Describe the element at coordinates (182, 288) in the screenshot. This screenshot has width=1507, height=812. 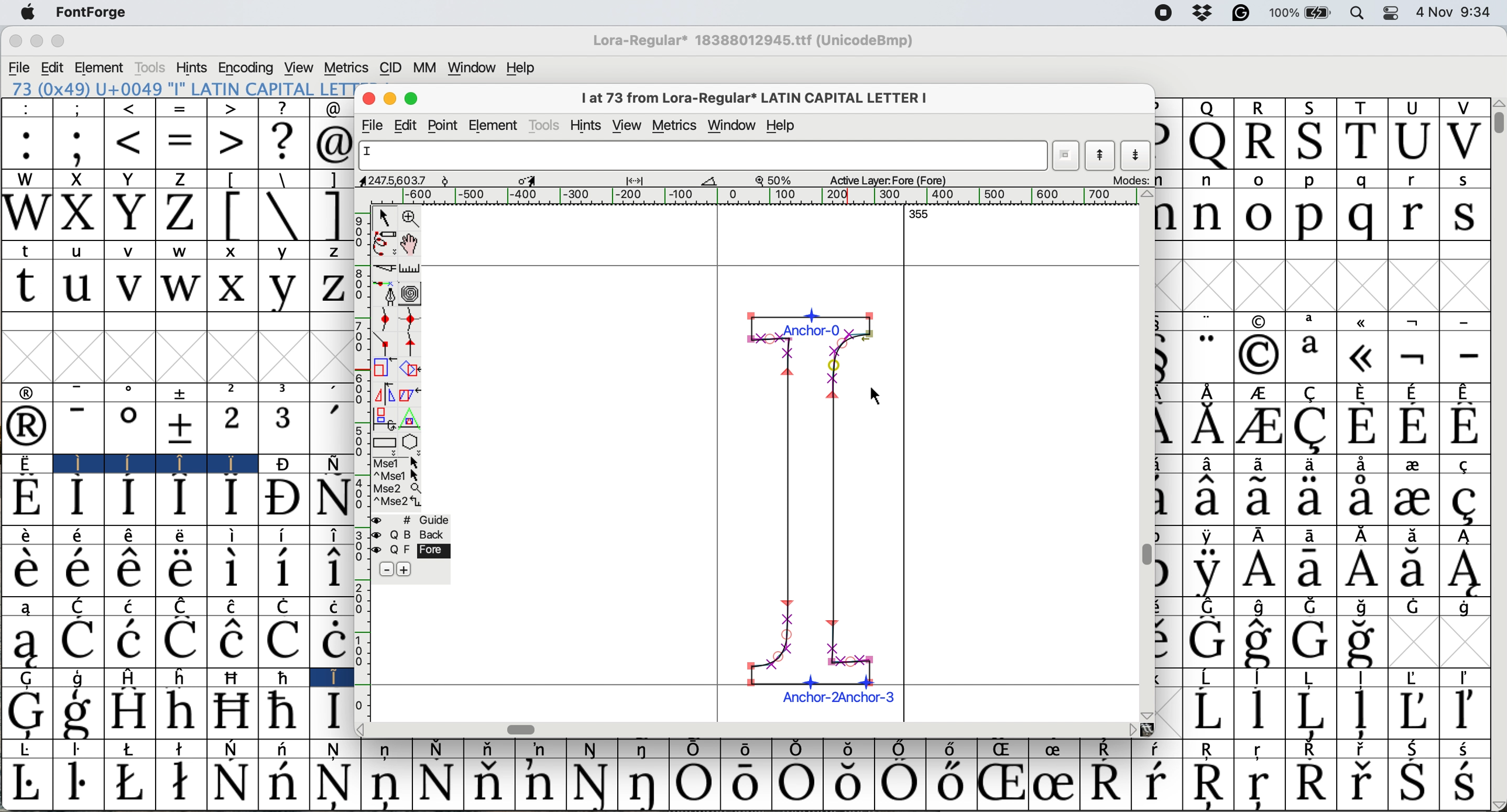
I see `w` at that location.